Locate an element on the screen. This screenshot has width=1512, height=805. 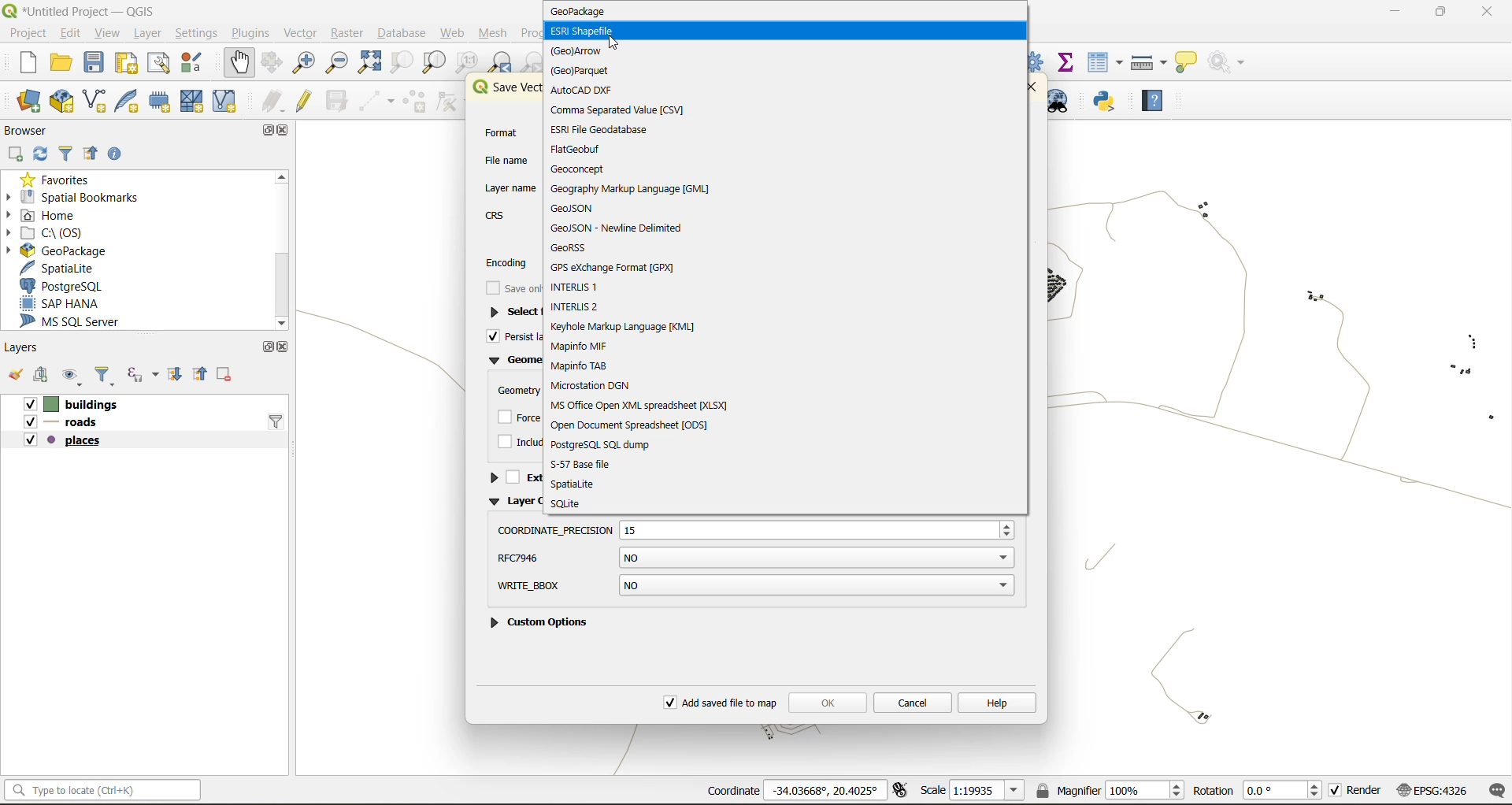
add saved file to map is located at coordinates (717, 699).